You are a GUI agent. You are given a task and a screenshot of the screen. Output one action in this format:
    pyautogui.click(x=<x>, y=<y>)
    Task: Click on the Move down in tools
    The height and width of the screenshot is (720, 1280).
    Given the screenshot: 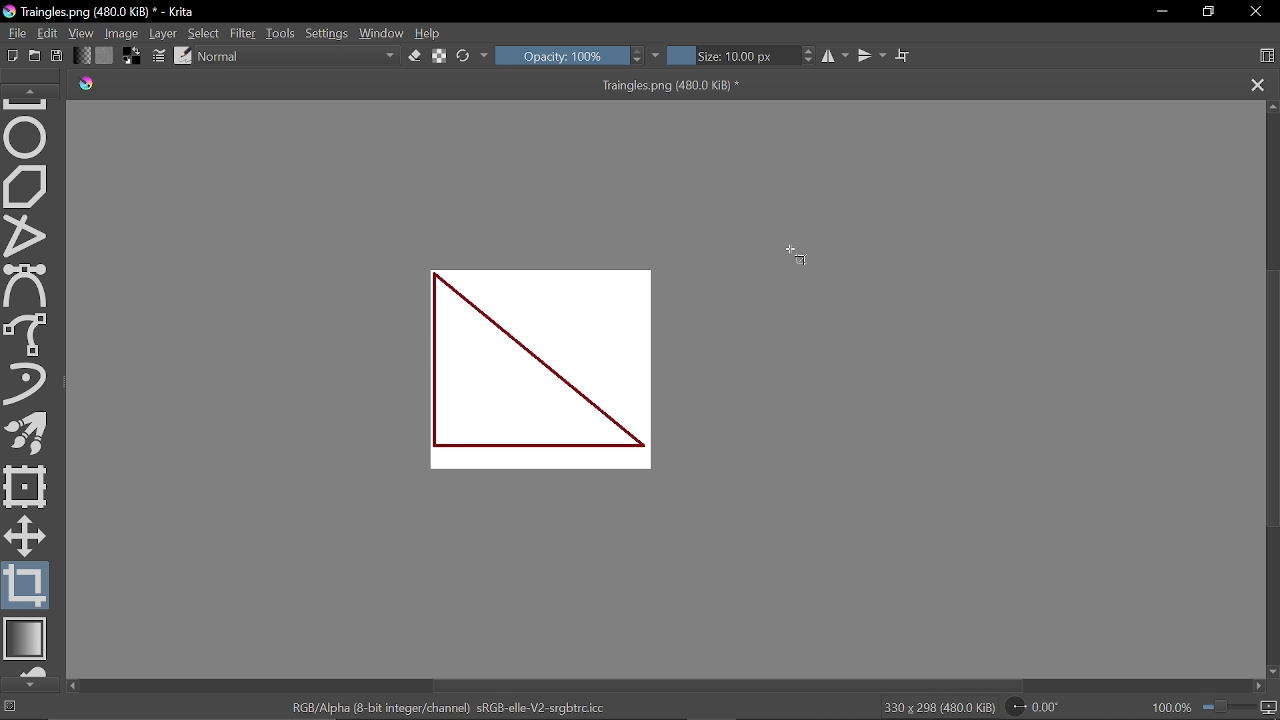 What is the action you would take?
    pyautogui.click(x=29, y=685)
    